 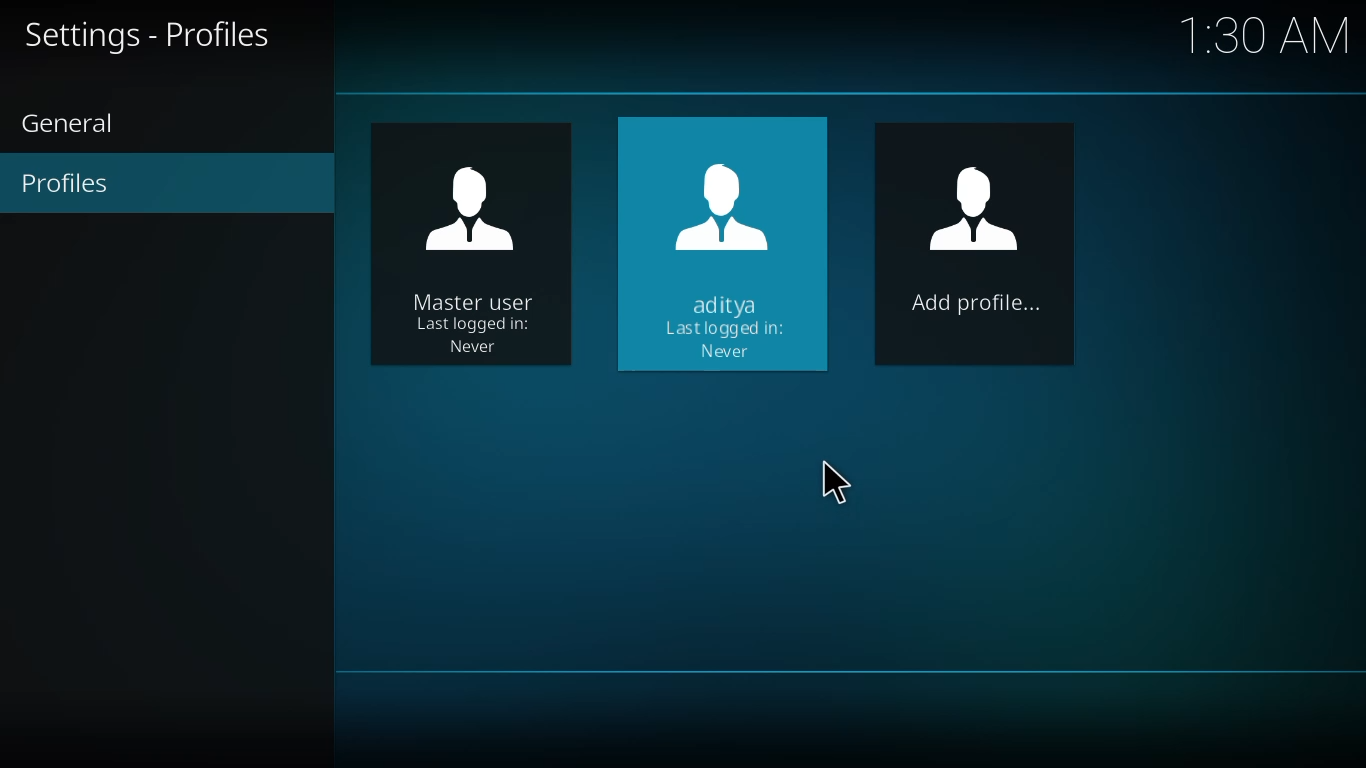 What do you see at coordinates (978, 239) in the screenshot?
I see `add profile` at bounding box center [978, 239].